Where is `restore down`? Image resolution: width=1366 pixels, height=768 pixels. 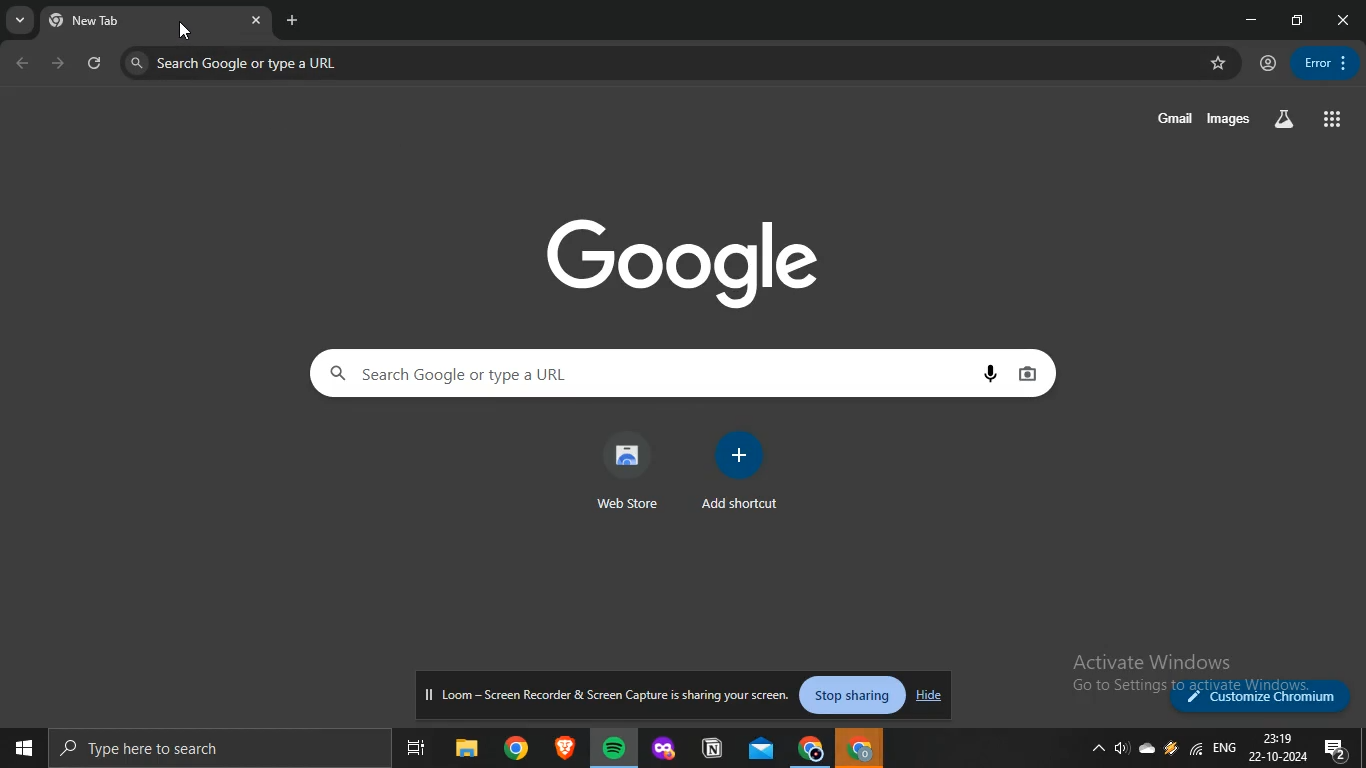 restore down is located at coordinates (1299, 19).